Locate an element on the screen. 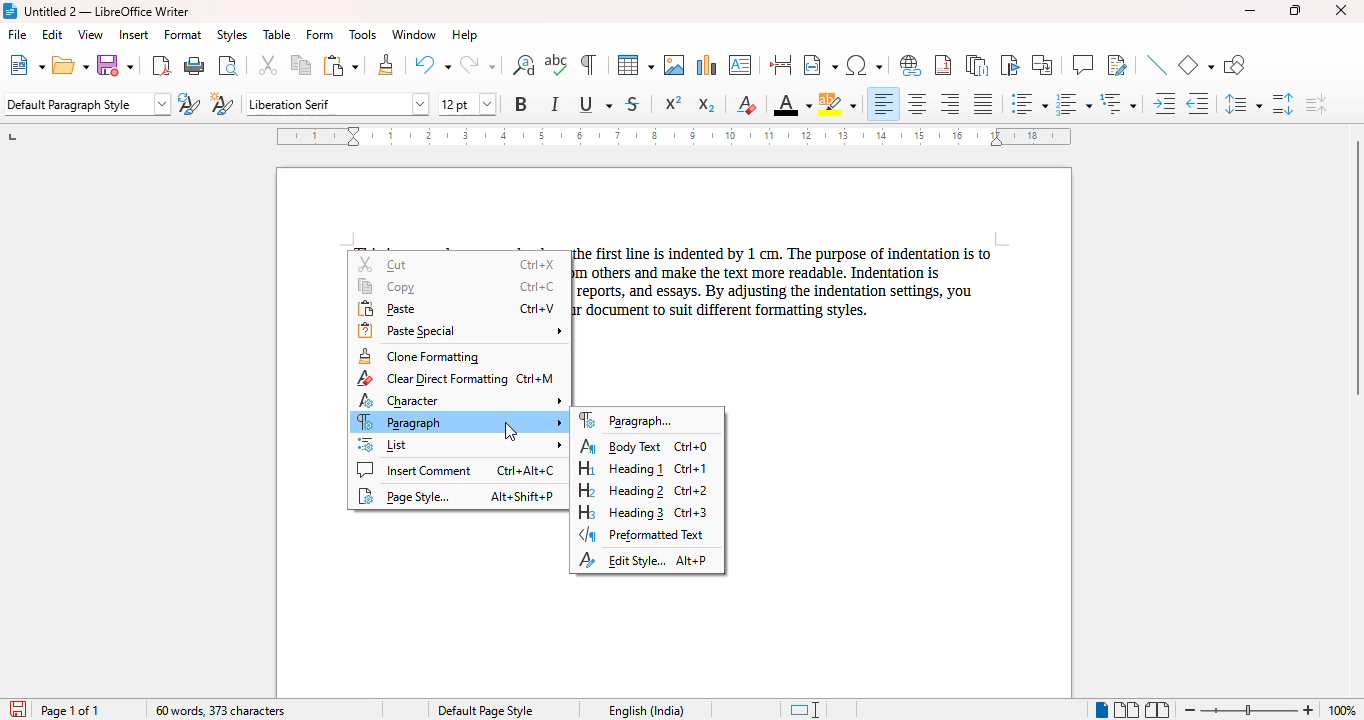 This screenshot has height=720, width=1364. tools is located at coordinates (362, 35).